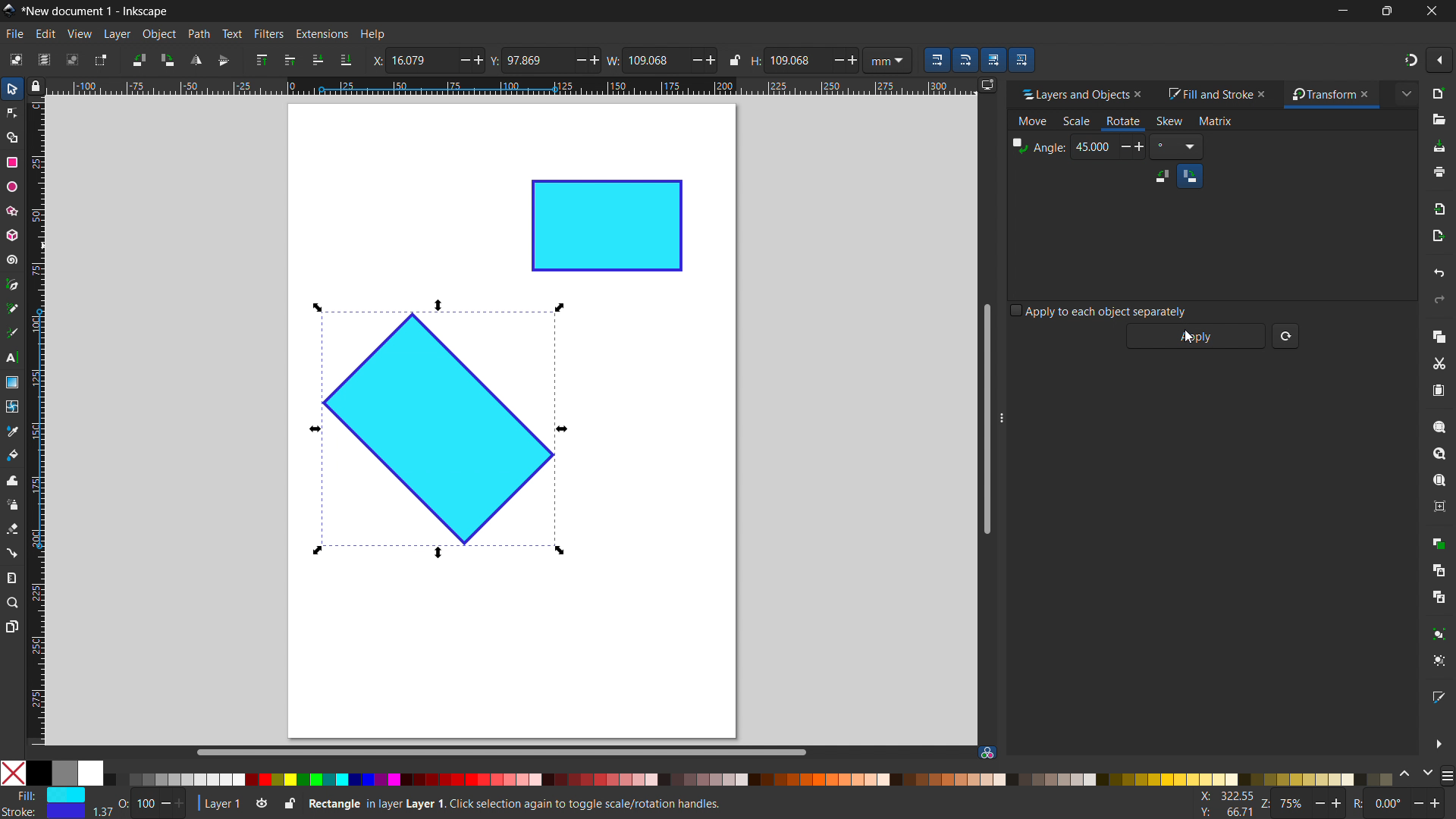  I want to click on select all in all layers, so click(43, 59).